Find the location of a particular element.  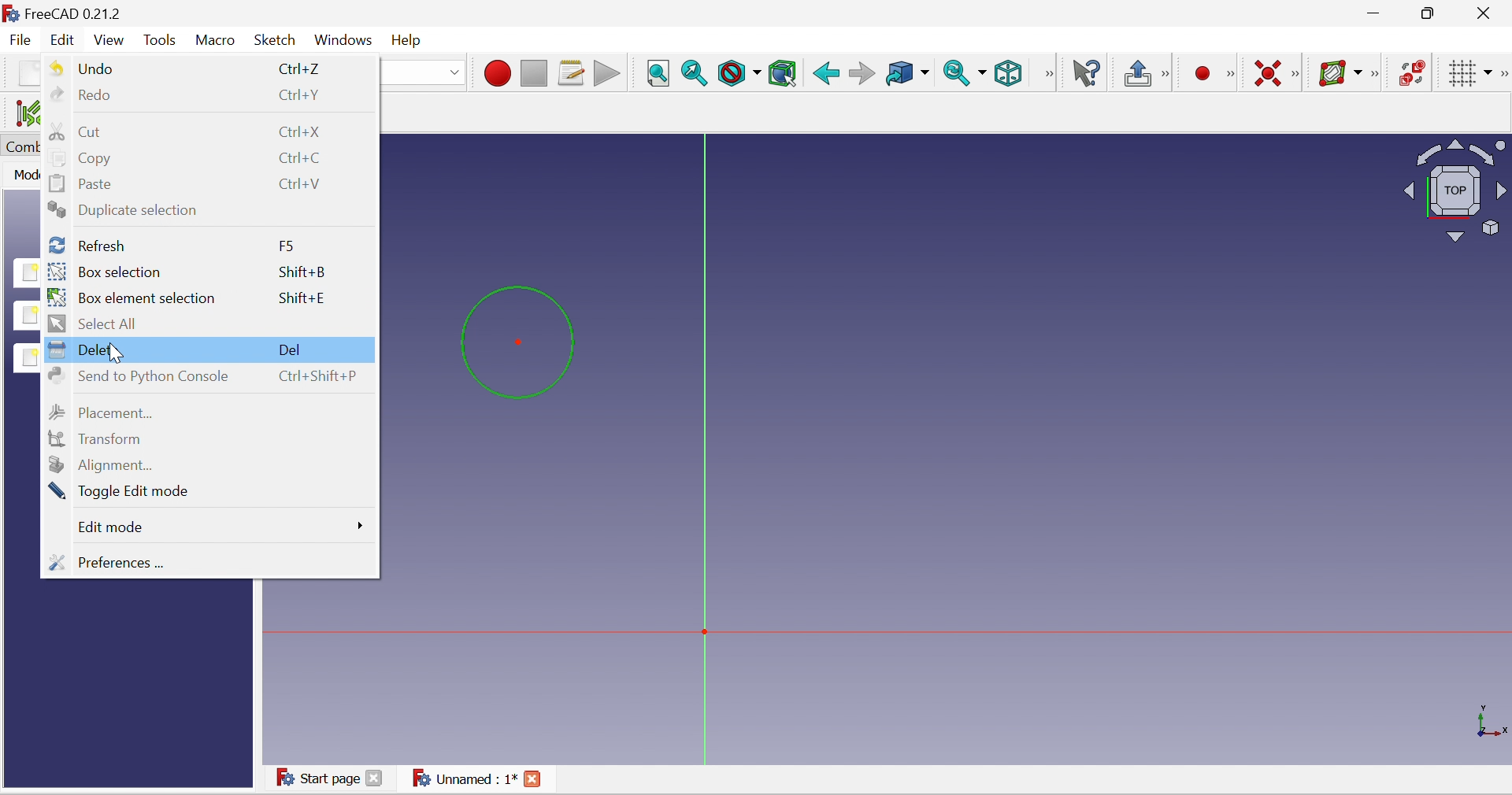

More options is located at coordinates (358, 525).